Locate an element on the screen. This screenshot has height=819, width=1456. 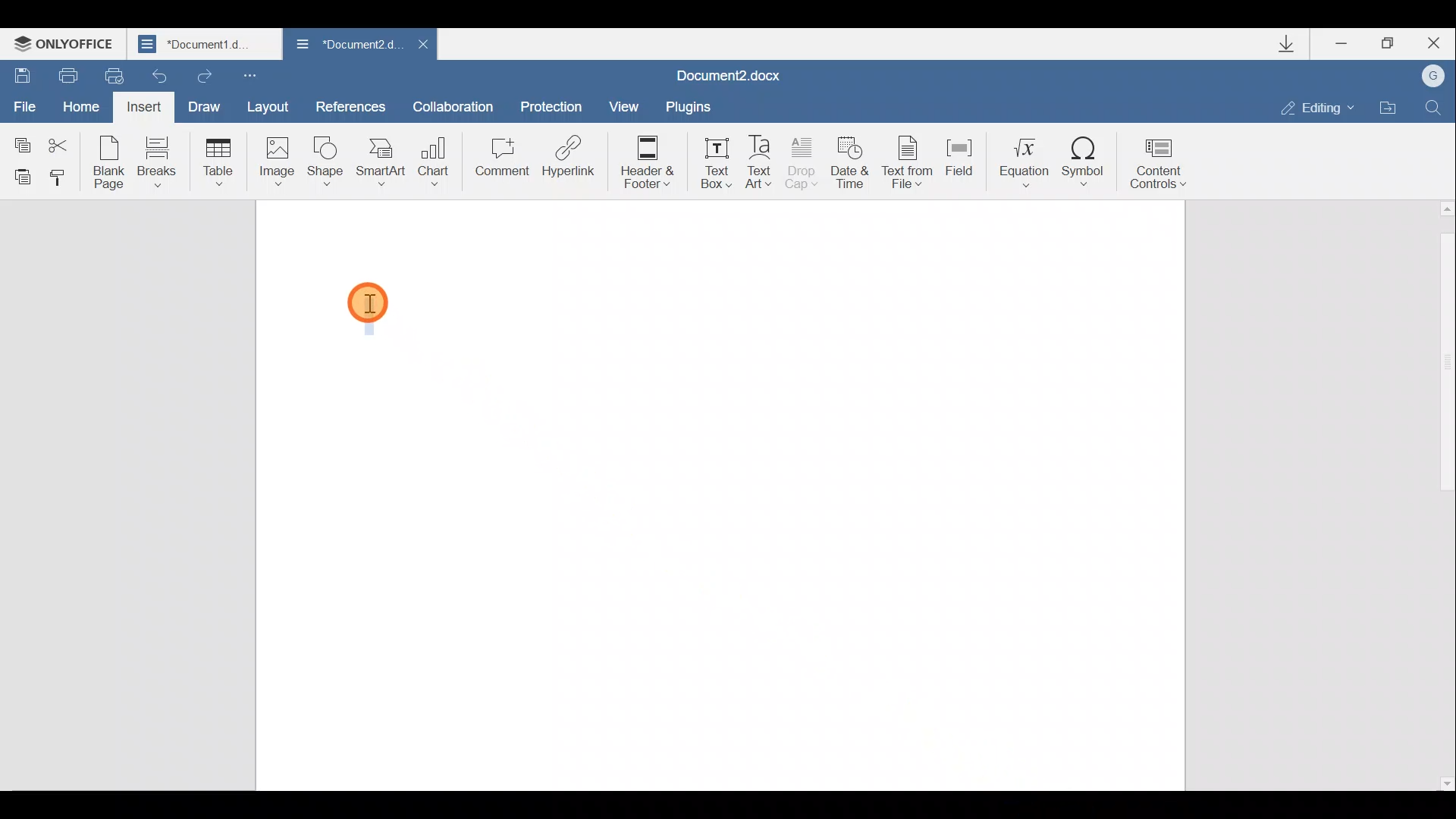
Scroll bar is located at coordinates (1443, 494).